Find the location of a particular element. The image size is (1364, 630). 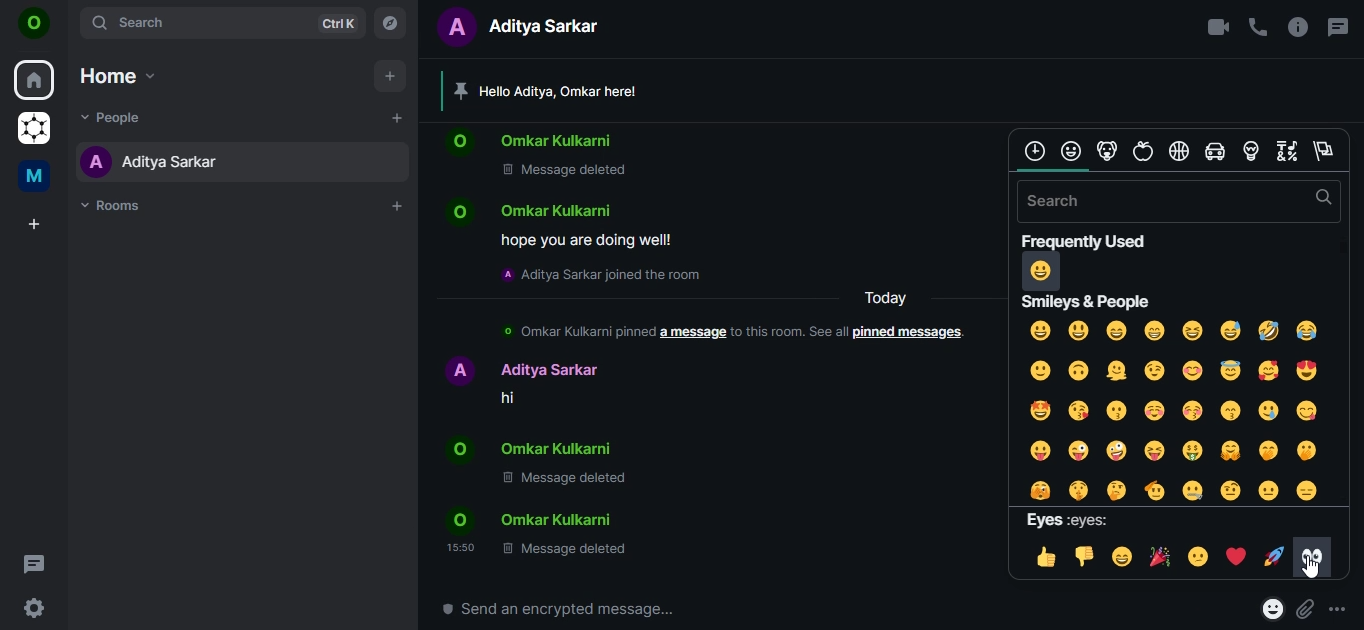

text is located at coordinates (1087, 238).